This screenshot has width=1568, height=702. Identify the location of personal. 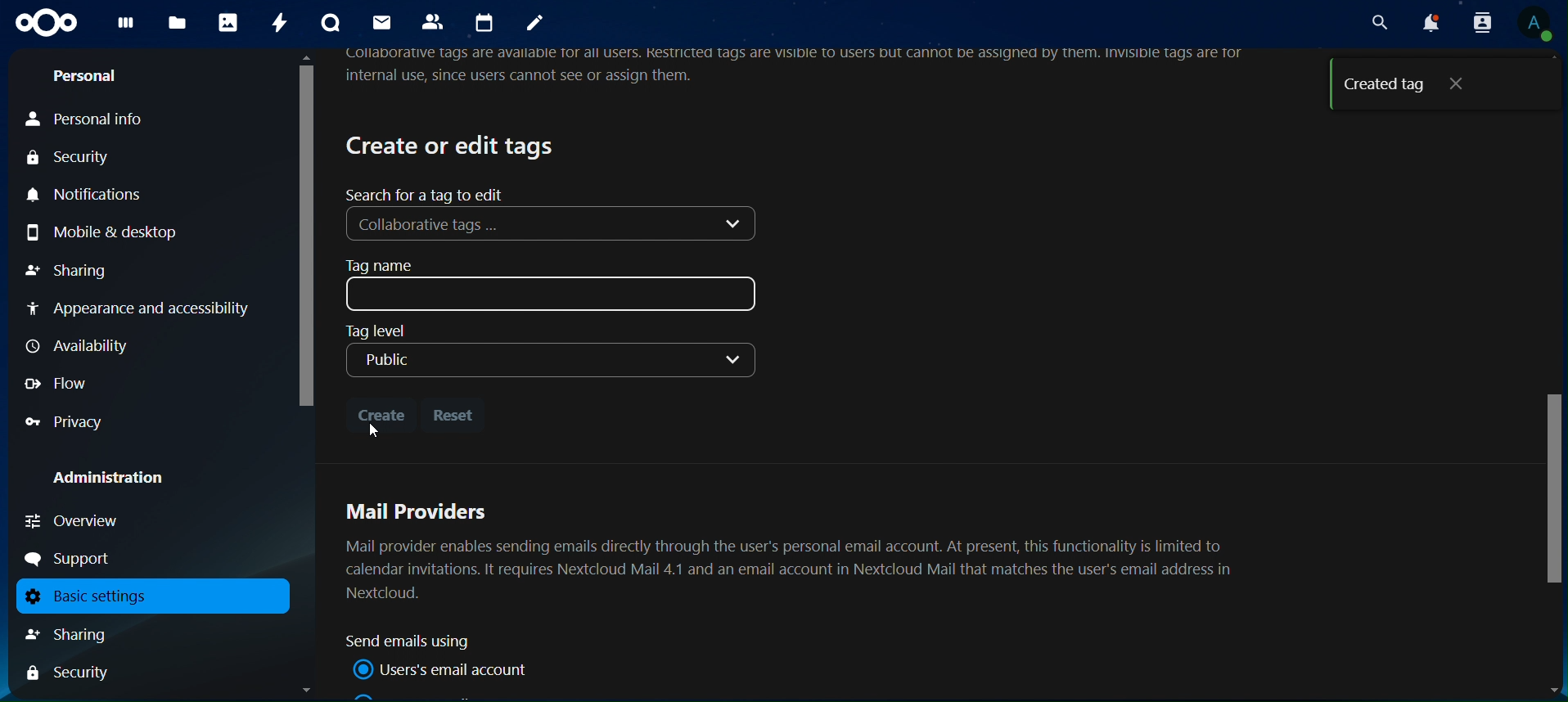
(86, 79).